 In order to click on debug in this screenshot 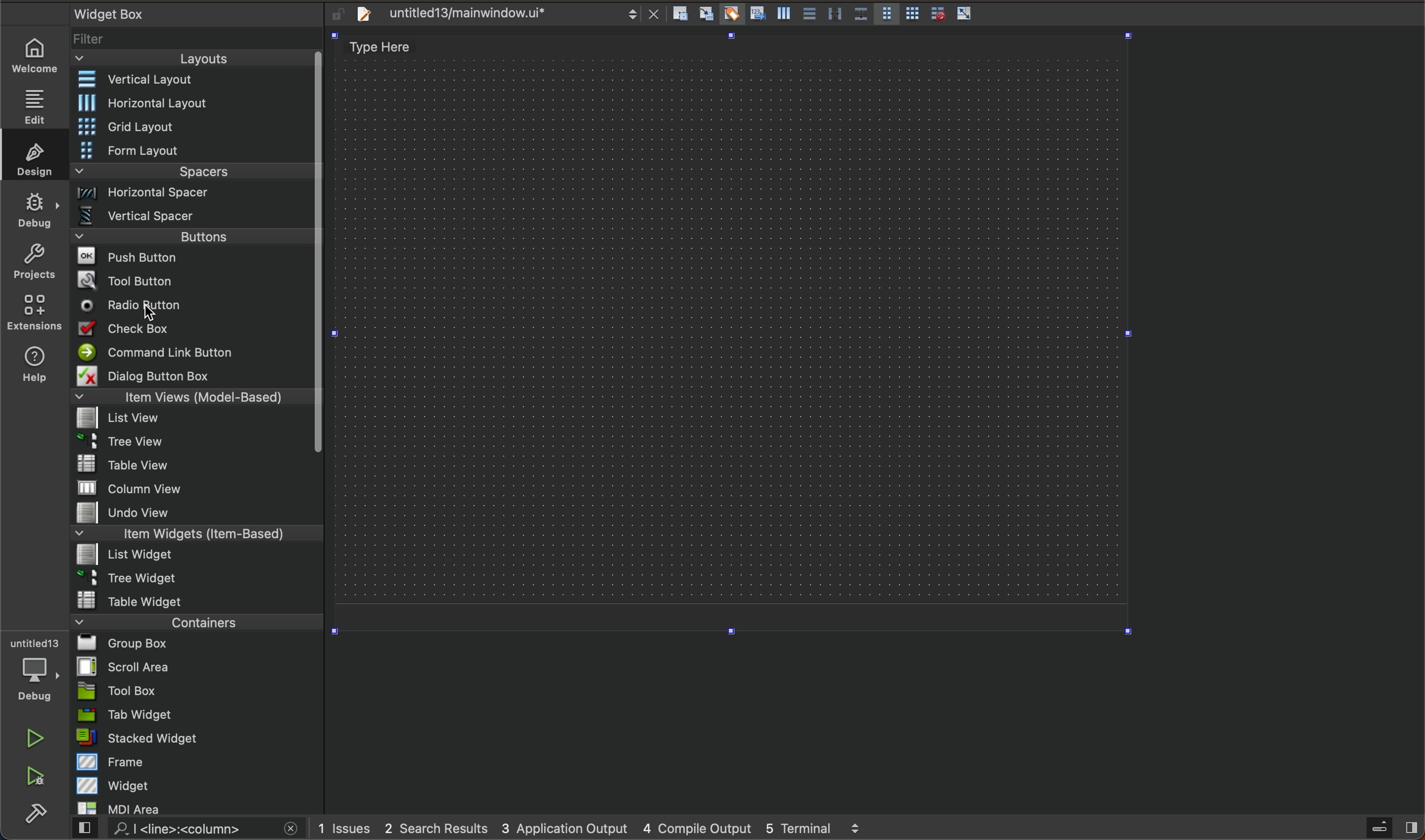, I will do `click(41, 671)`.